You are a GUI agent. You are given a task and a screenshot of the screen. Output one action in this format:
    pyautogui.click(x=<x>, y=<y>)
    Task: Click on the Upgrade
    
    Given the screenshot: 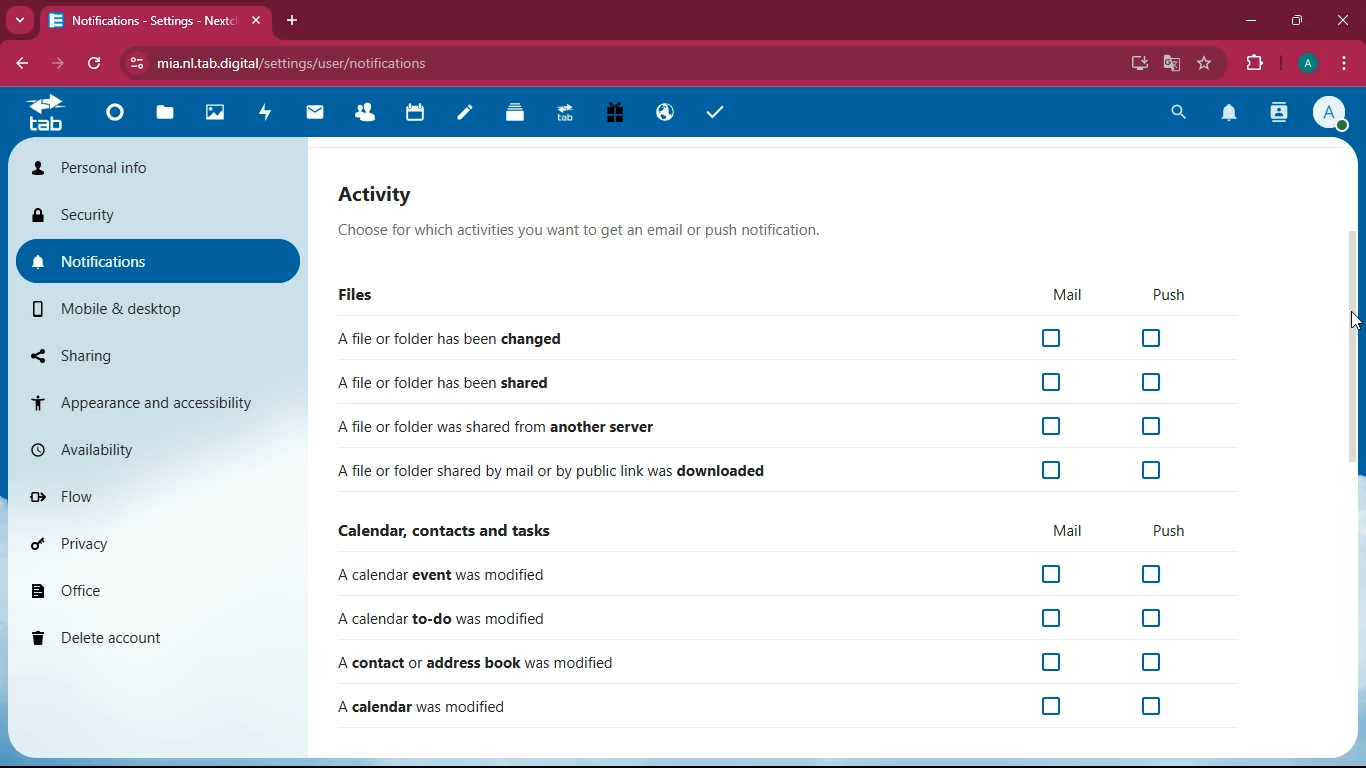 What is the action you would take?
    pyautogui.click(x=566, y=115)
    